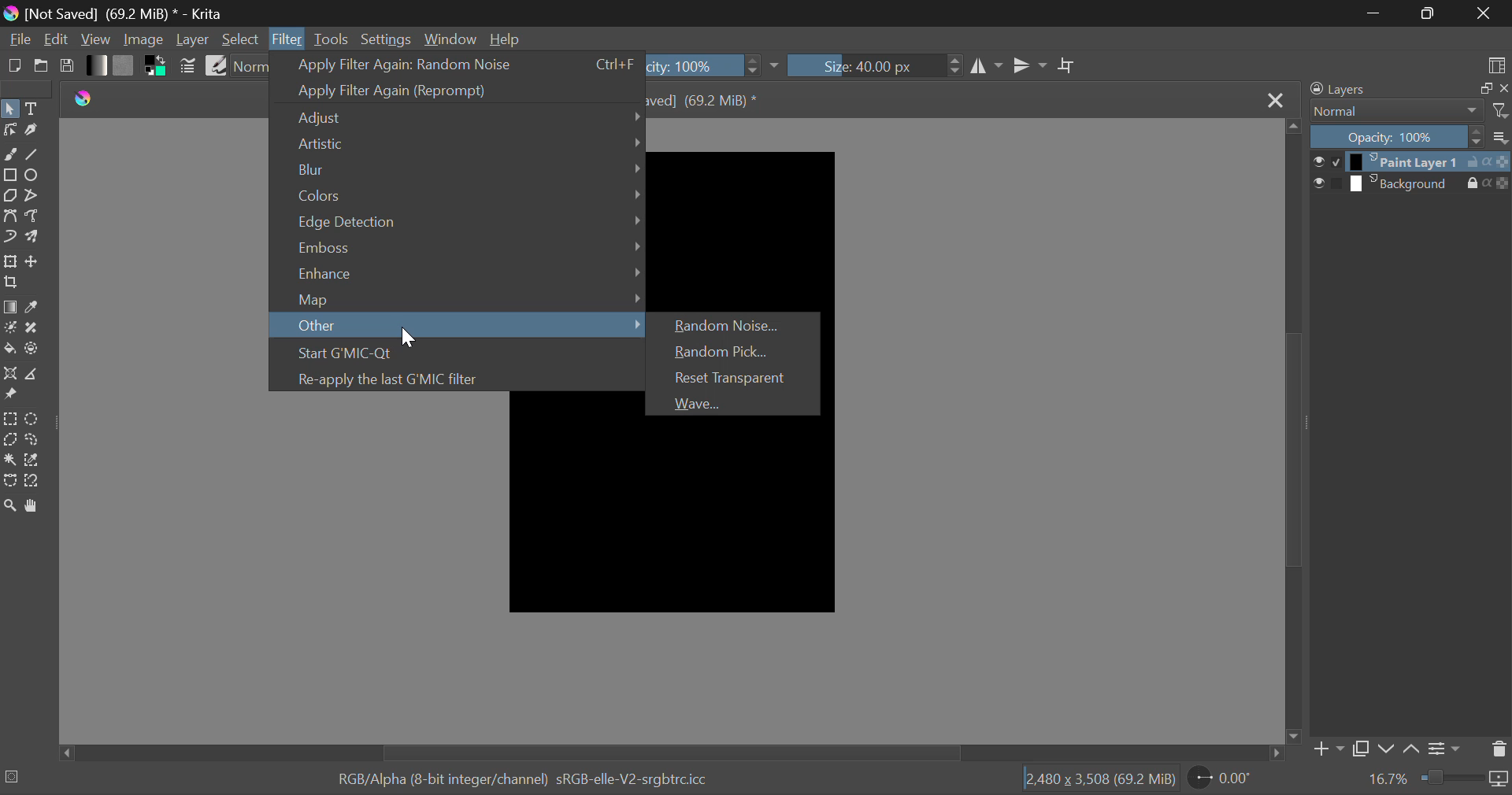 This screenshot has height=795, width=1512. What do you see at coordinates (461, 142) in the screenshot?
I see `Artistic` at bounding box center [461, 142].